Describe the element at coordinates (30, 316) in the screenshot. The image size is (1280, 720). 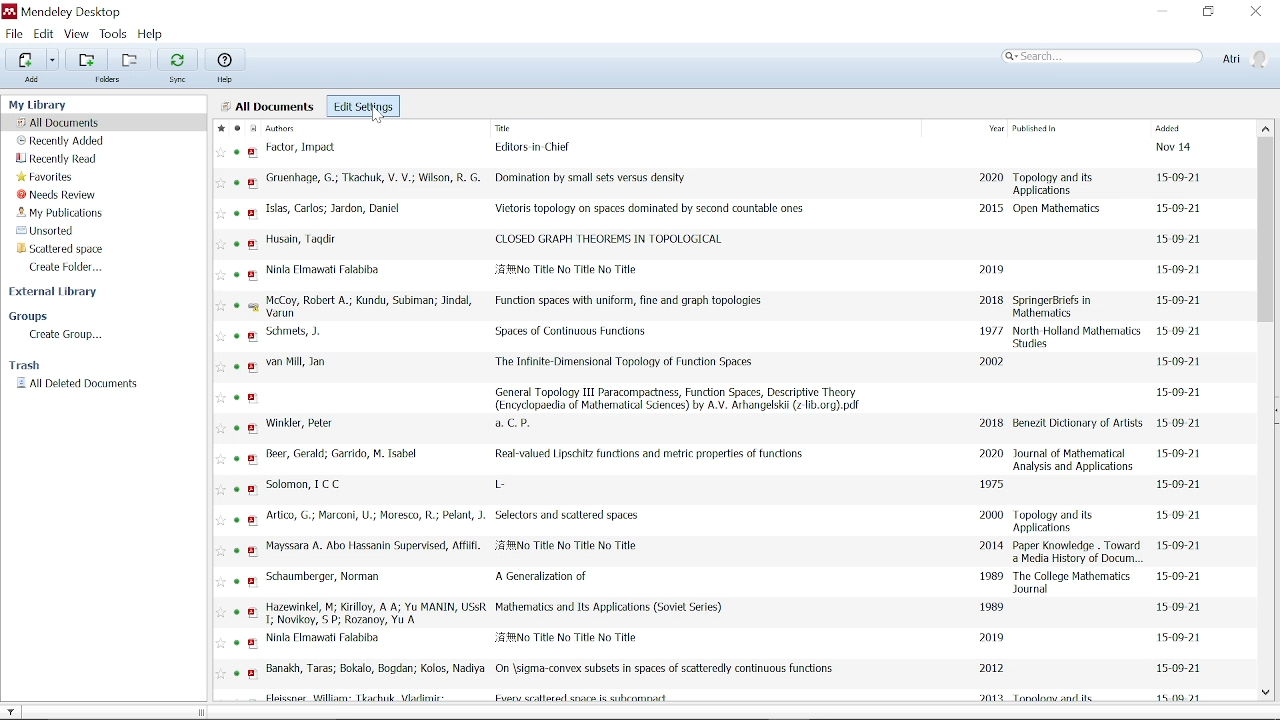
I see `Groups` at that location.